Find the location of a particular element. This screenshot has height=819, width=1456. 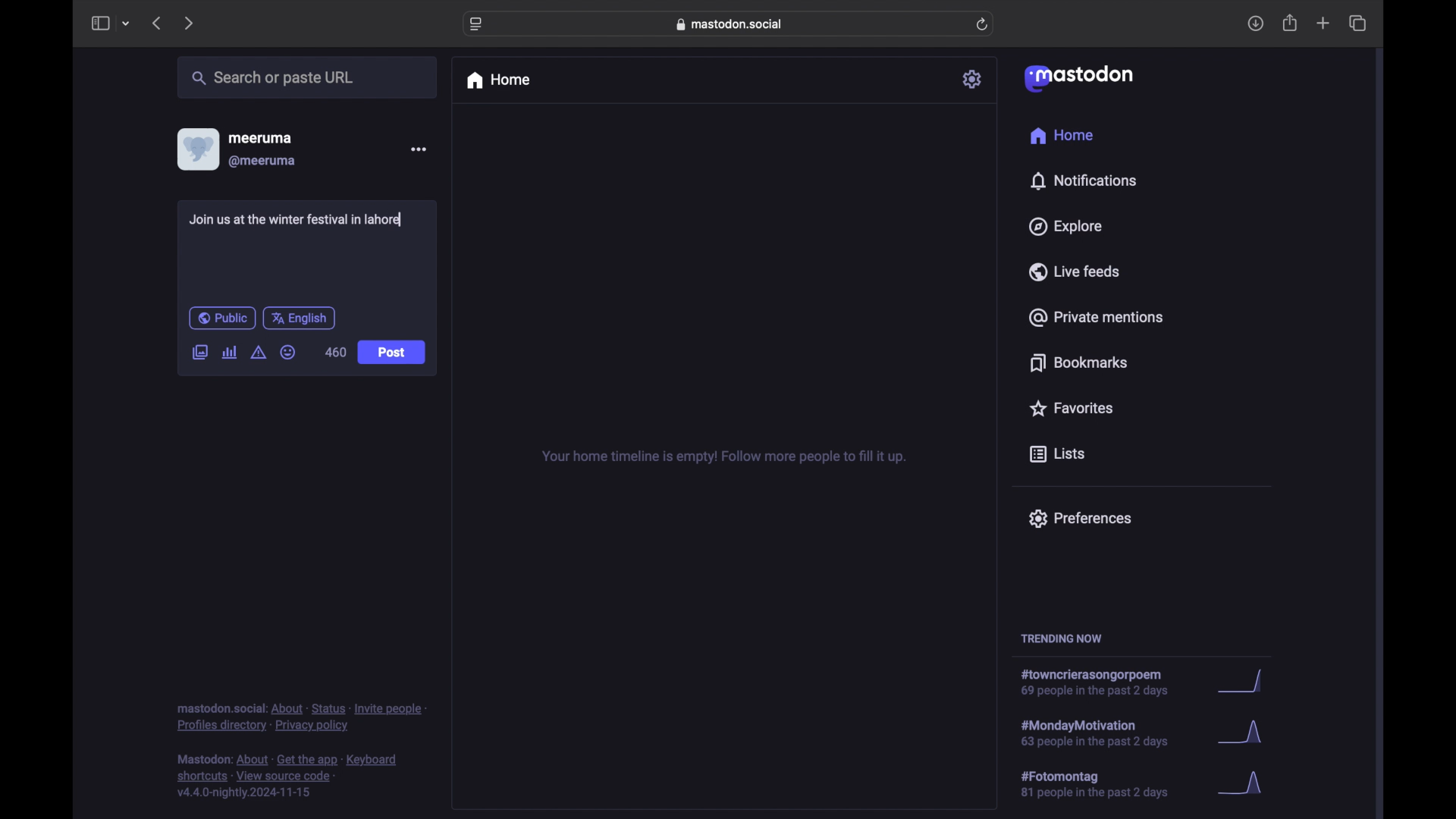

emoji is located at coordinates (288, 353).